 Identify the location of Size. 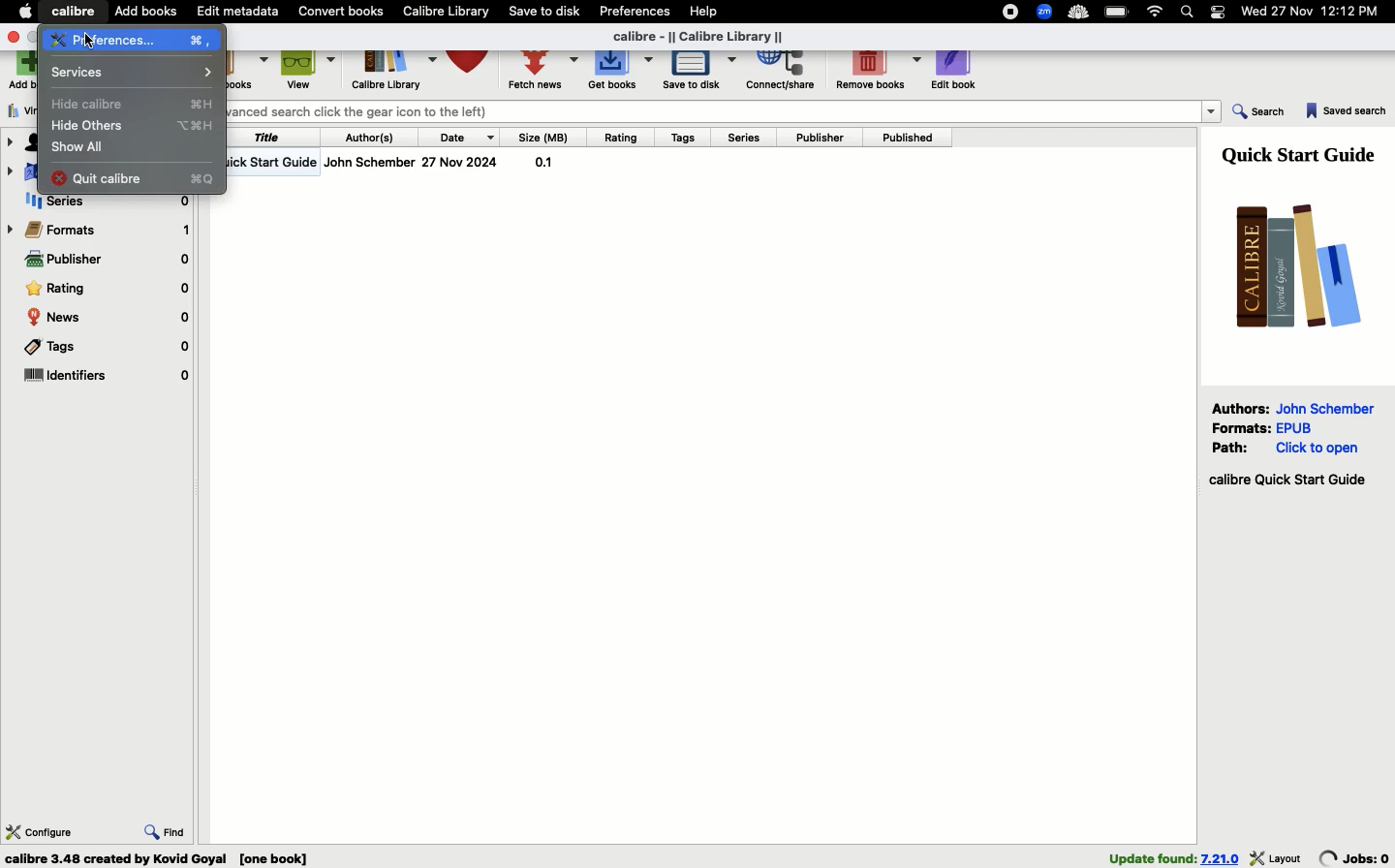
(545, 137).